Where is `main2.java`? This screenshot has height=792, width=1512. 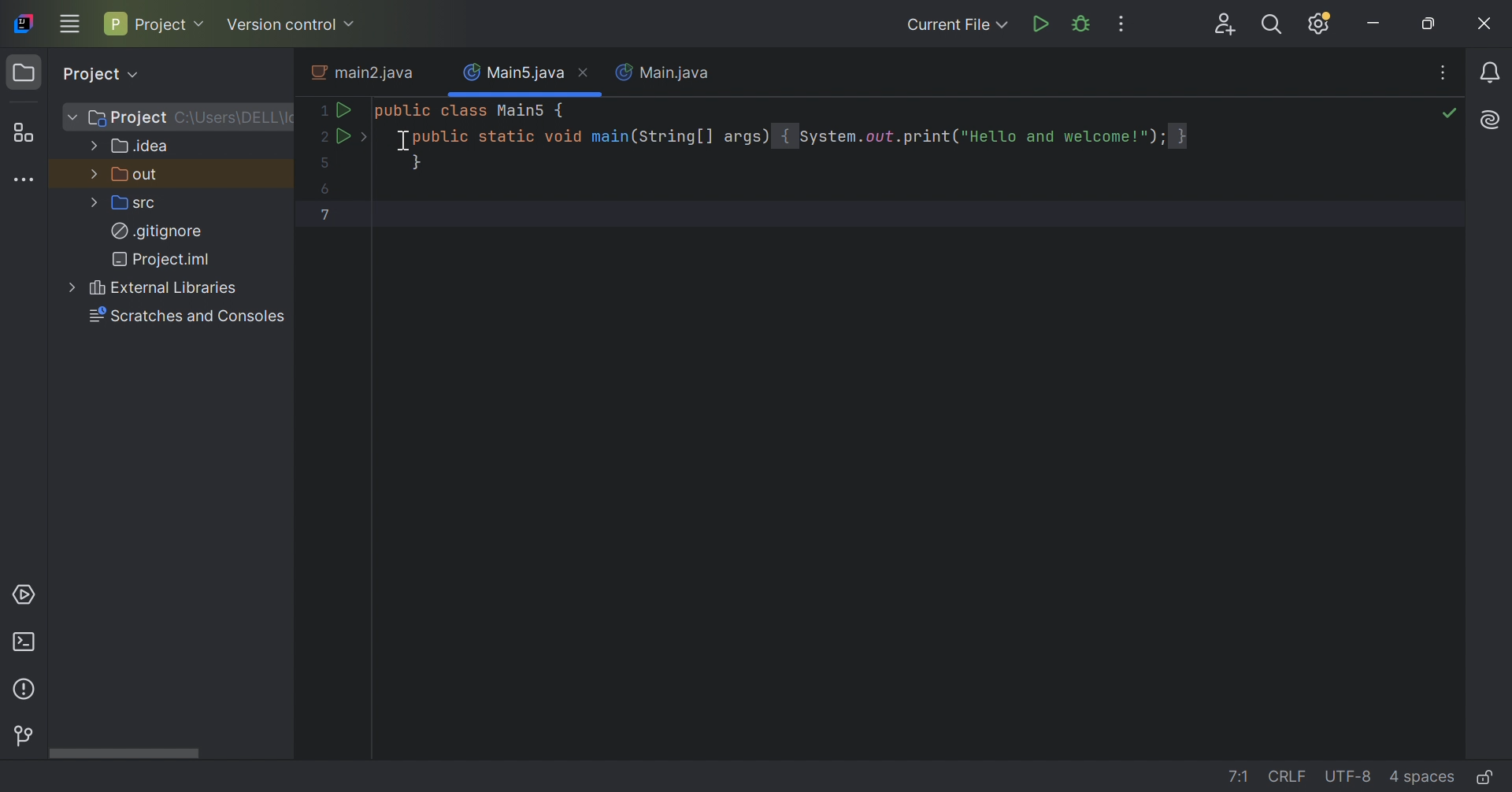
main2.java is located at coordinates (364, 72).